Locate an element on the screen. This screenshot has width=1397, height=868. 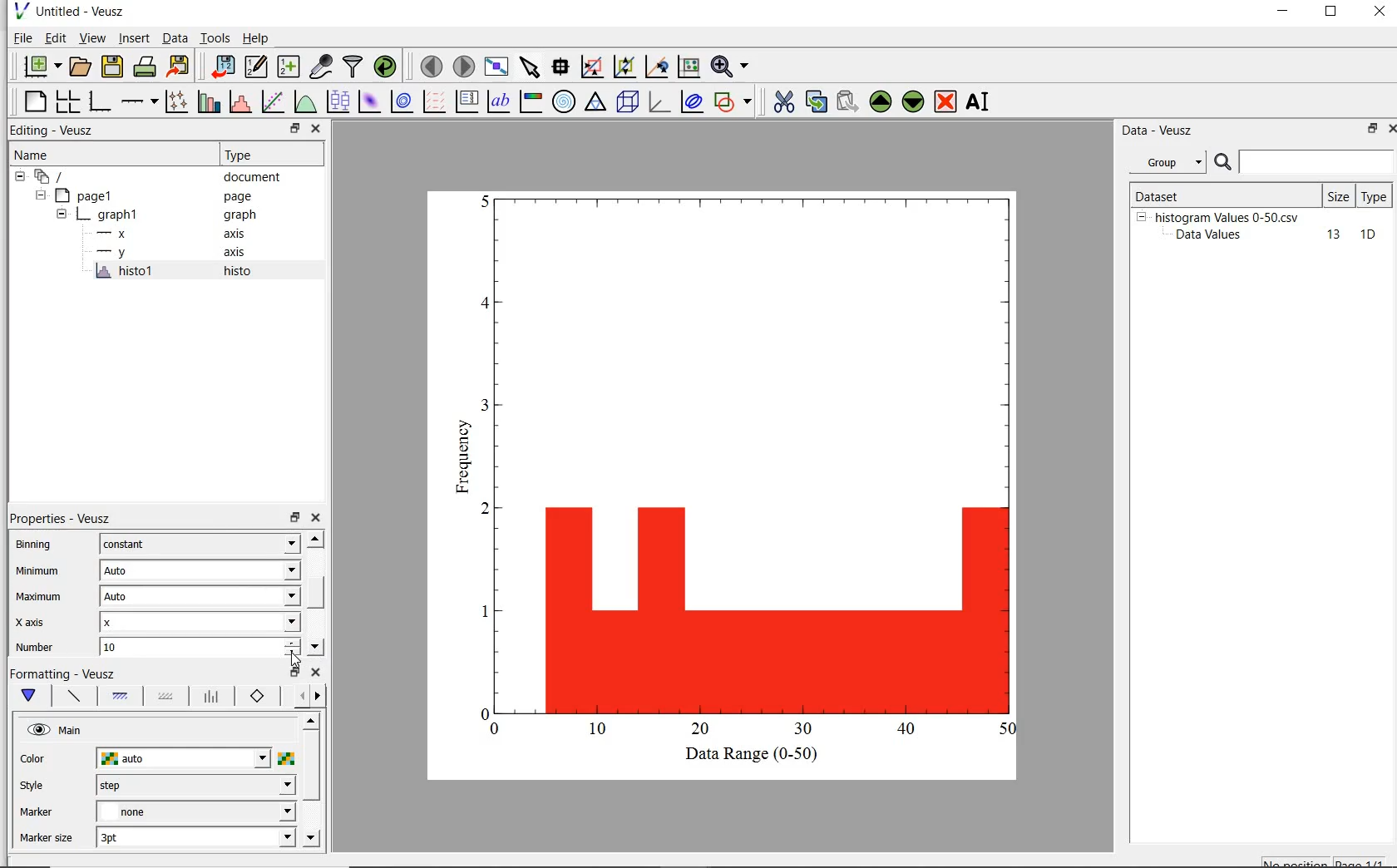
plot boxplots is located at coordinates (338, 101).